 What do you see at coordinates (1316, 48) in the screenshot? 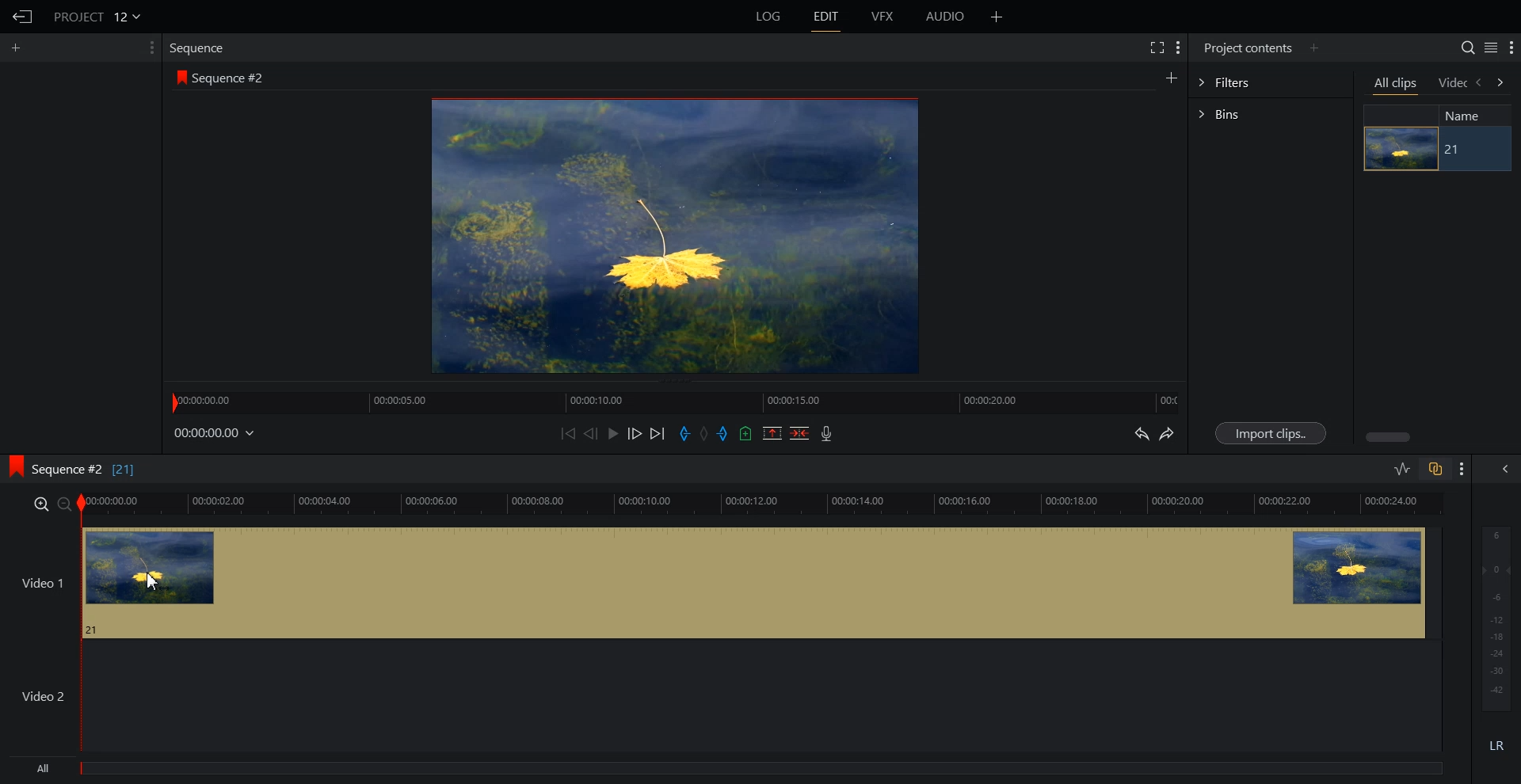
I see `Add Panel` at bounding box center [1316, 48].